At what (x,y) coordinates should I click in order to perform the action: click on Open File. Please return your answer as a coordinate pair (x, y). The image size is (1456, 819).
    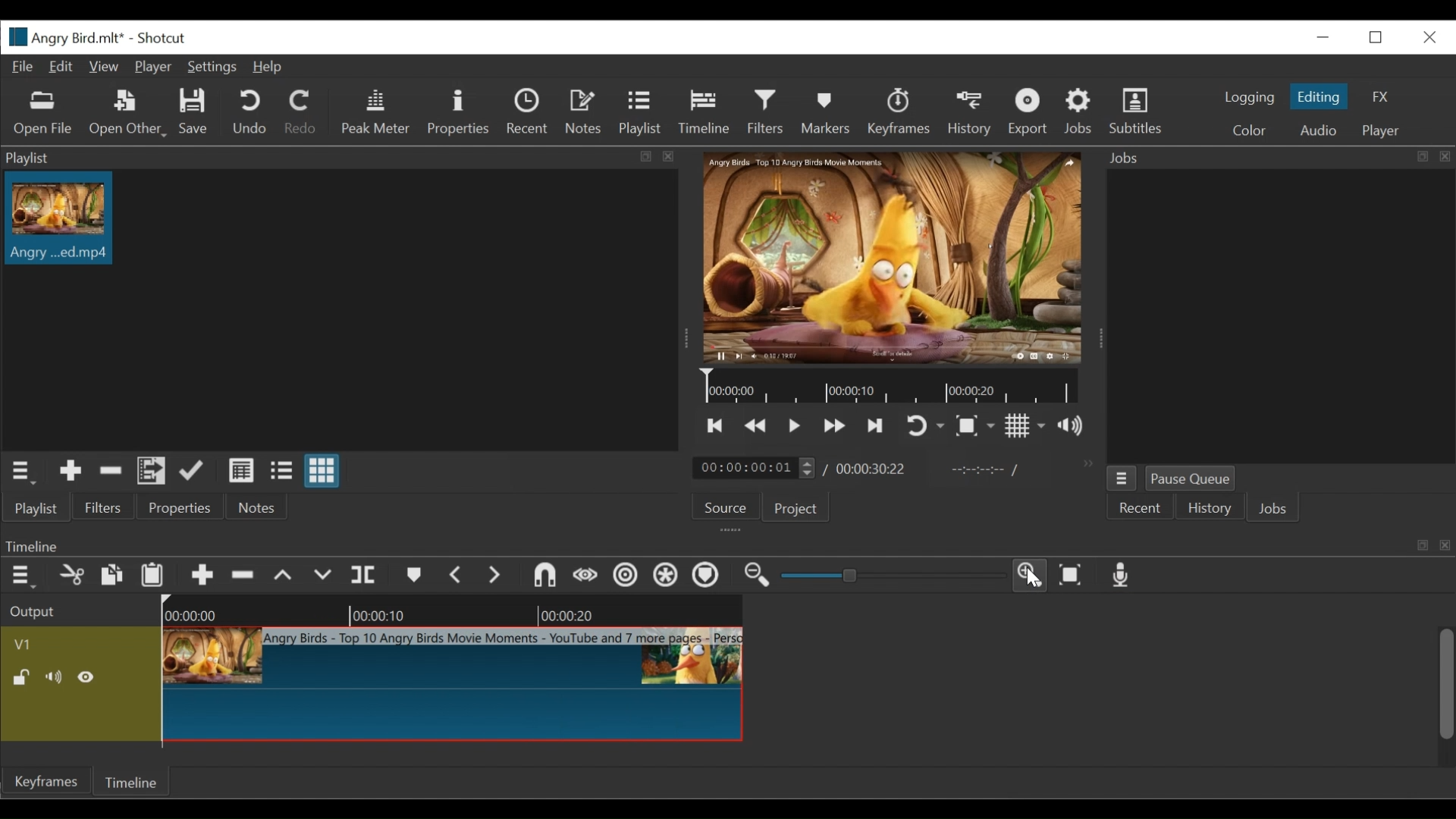
    Looking at the image, I should click on (42, 116).